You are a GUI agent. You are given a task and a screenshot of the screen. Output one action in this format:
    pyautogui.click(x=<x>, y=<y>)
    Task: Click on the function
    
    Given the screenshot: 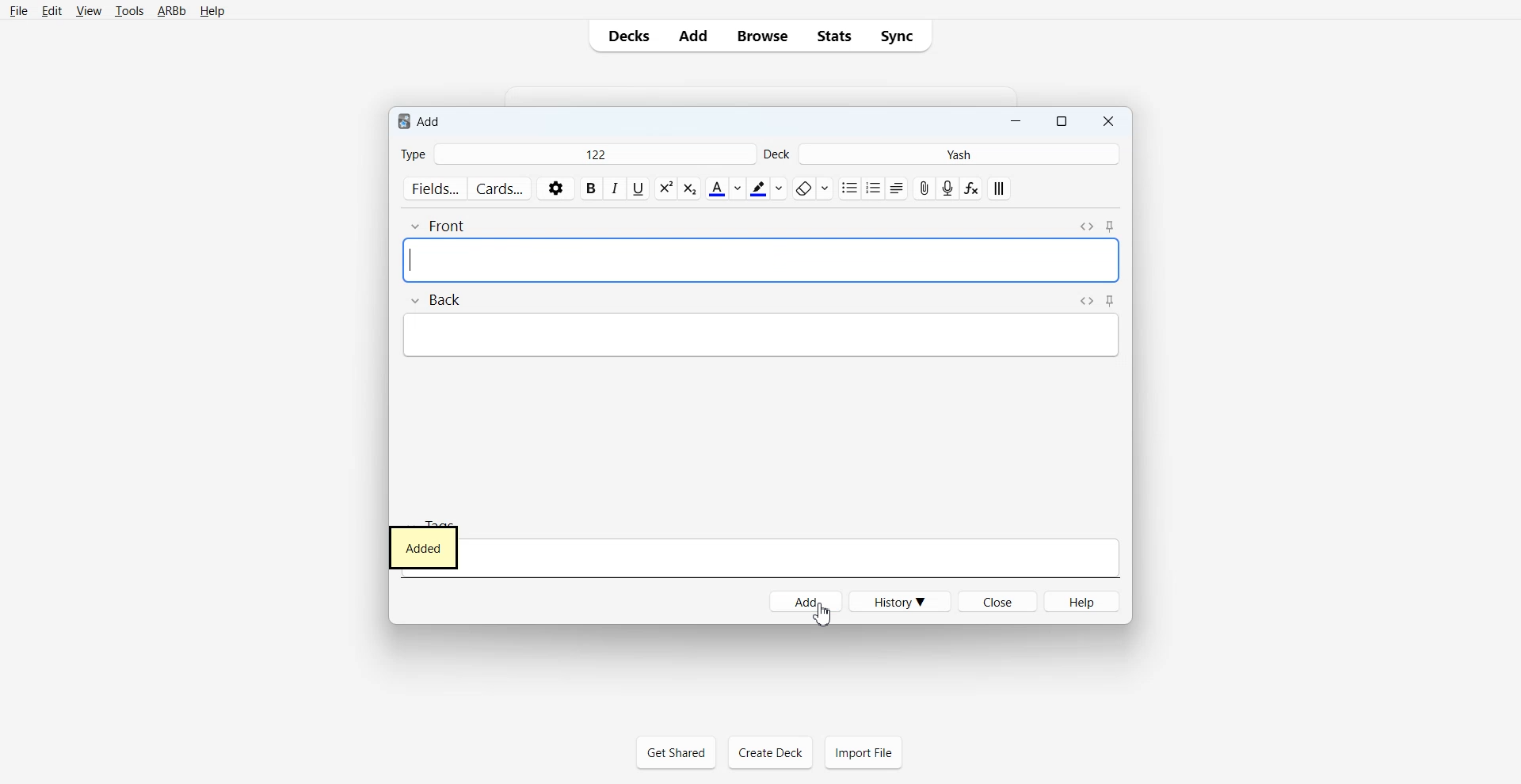 What is the action you would take?
    pyautogui.click(x=971, y=188)
    